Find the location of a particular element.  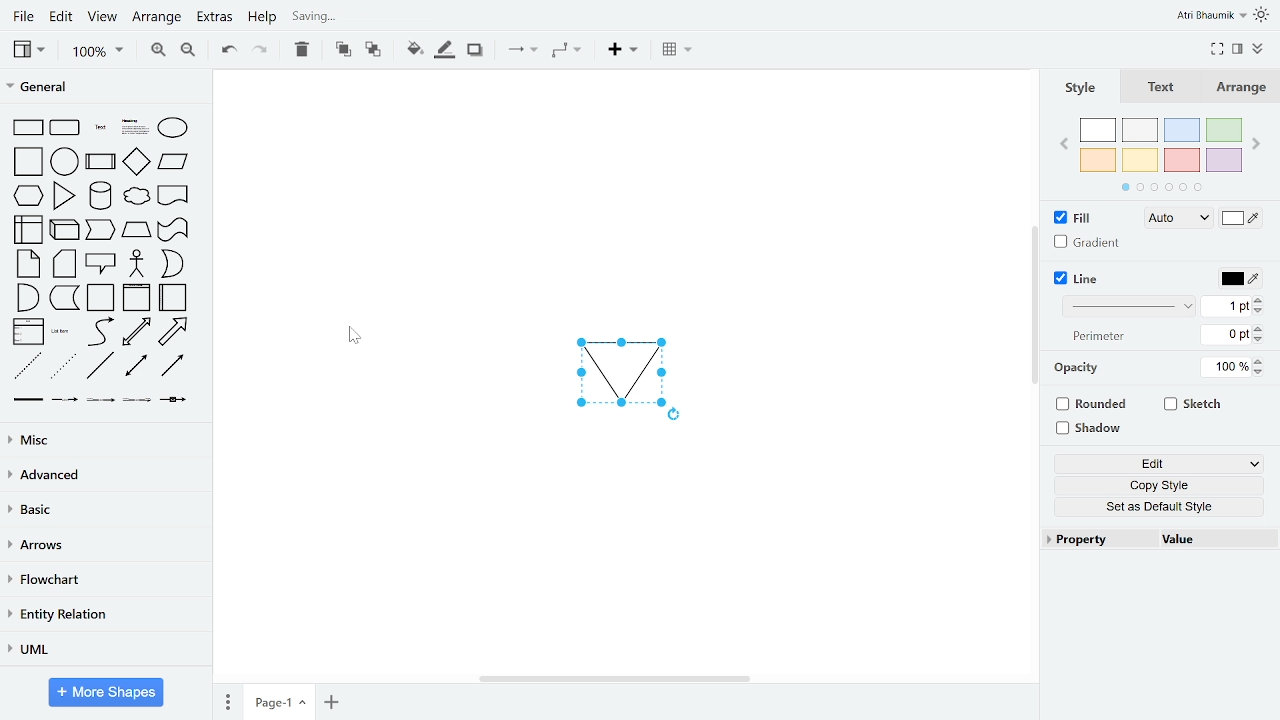

line is located at coordinates (100, 368).